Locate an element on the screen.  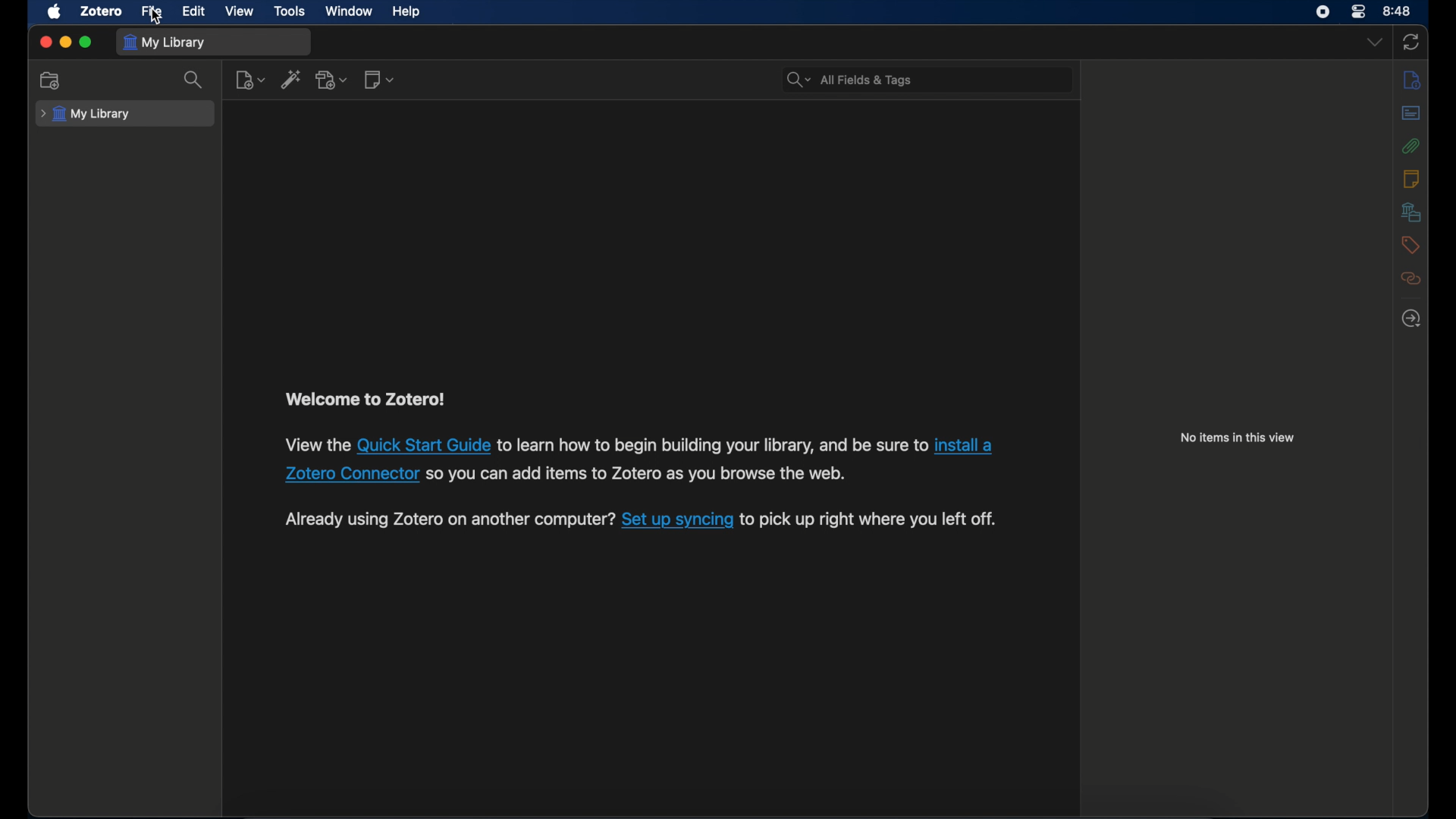
quick start guide link is located at coordinates (425, 444).